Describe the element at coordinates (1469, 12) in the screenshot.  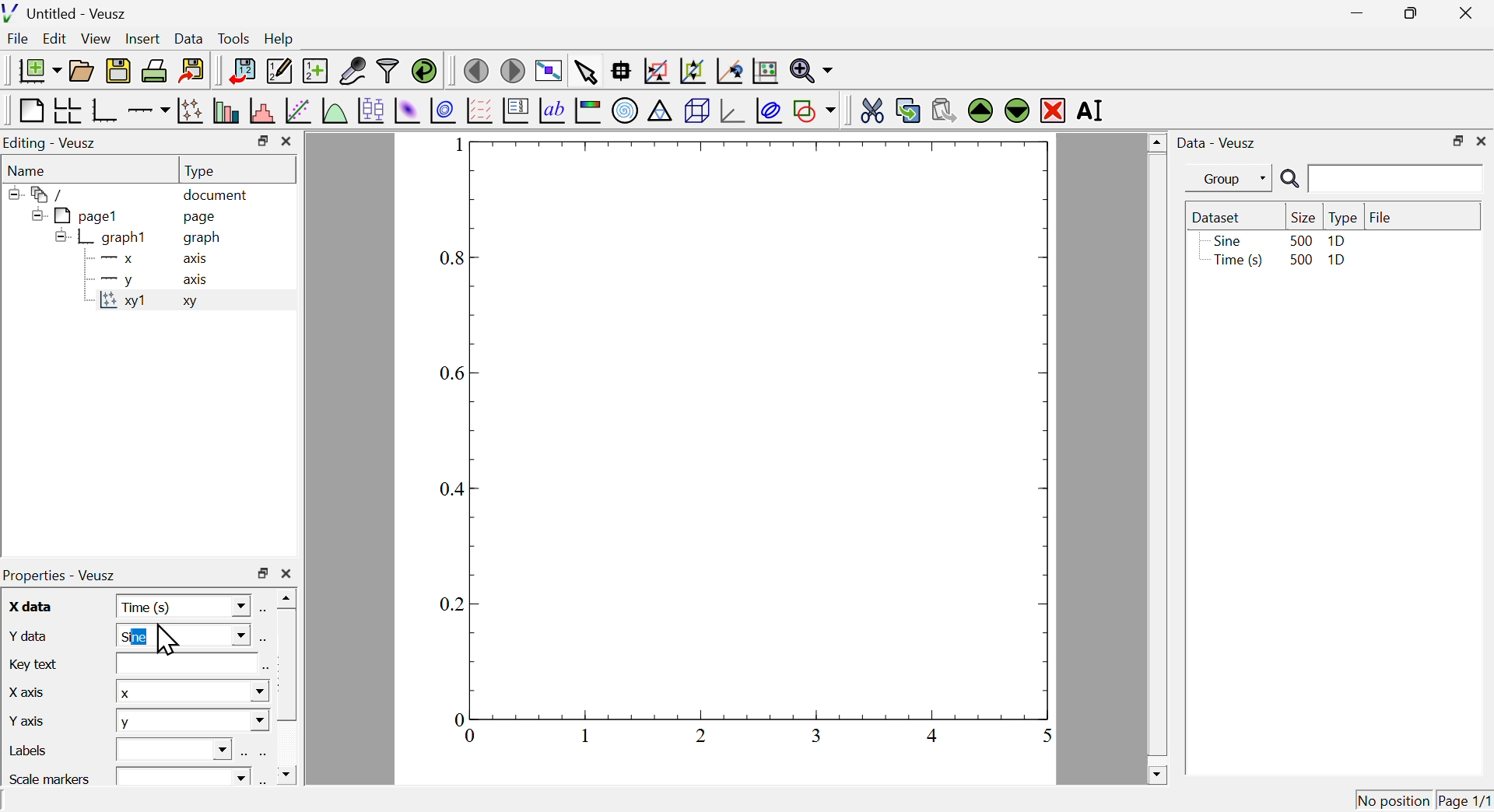
I see `close` at that location.